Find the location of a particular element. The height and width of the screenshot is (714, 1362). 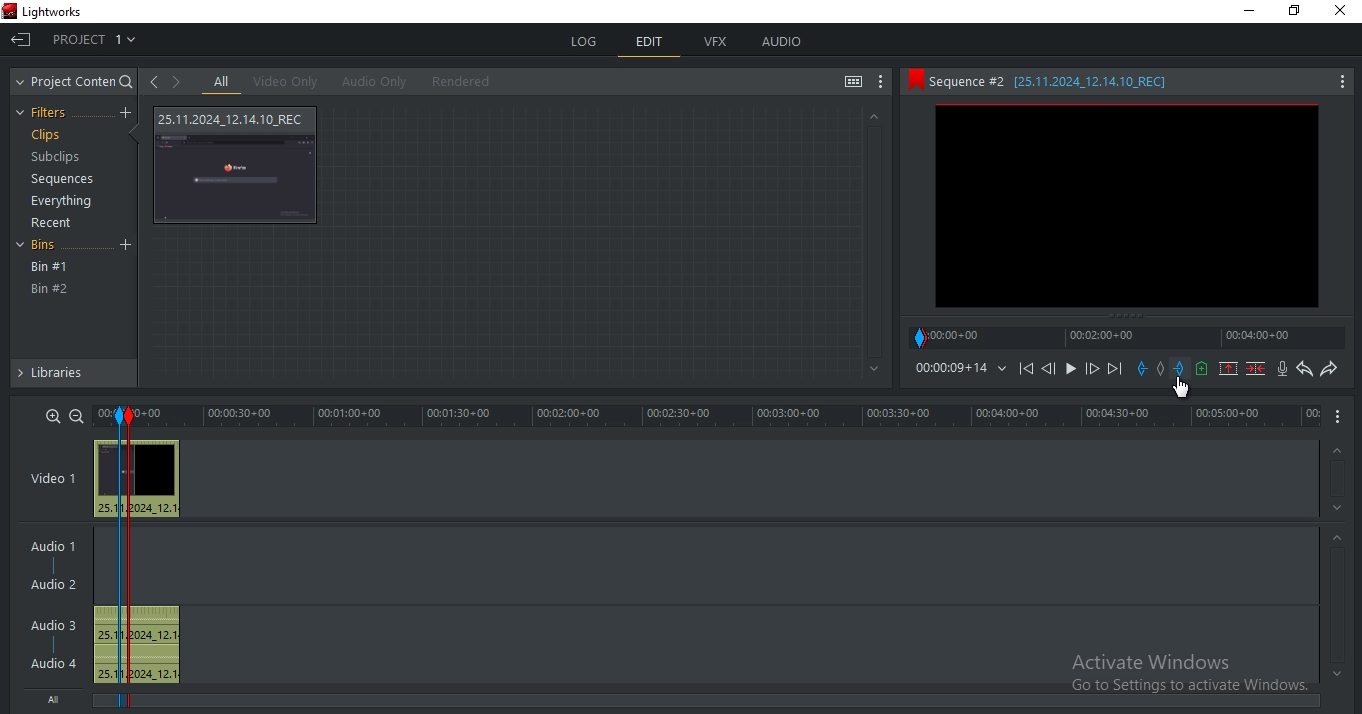

 is located at coordinates (855, 80).